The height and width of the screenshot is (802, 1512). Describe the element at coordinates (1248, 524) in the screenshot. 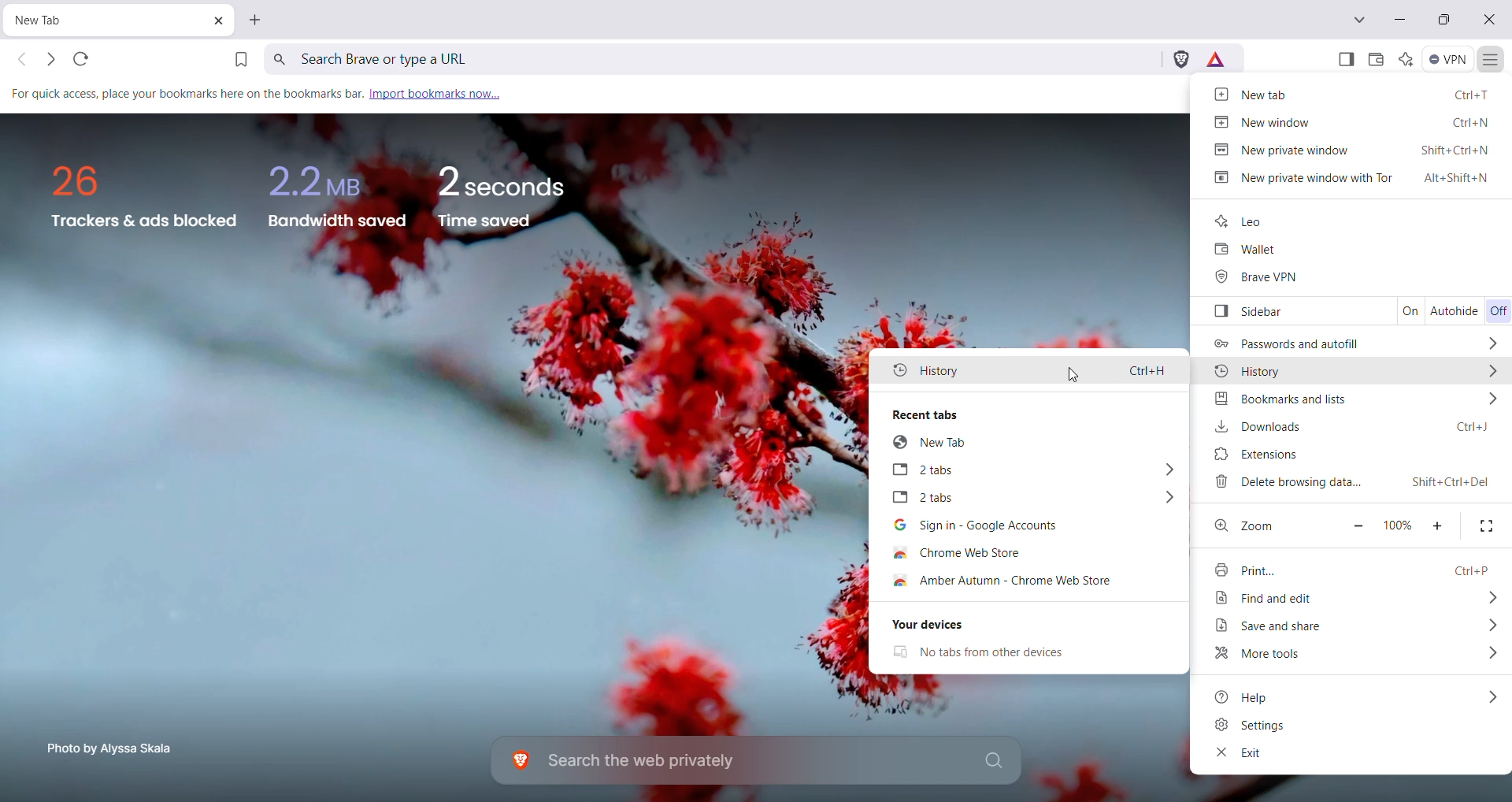

I see `Zoom` at that location.